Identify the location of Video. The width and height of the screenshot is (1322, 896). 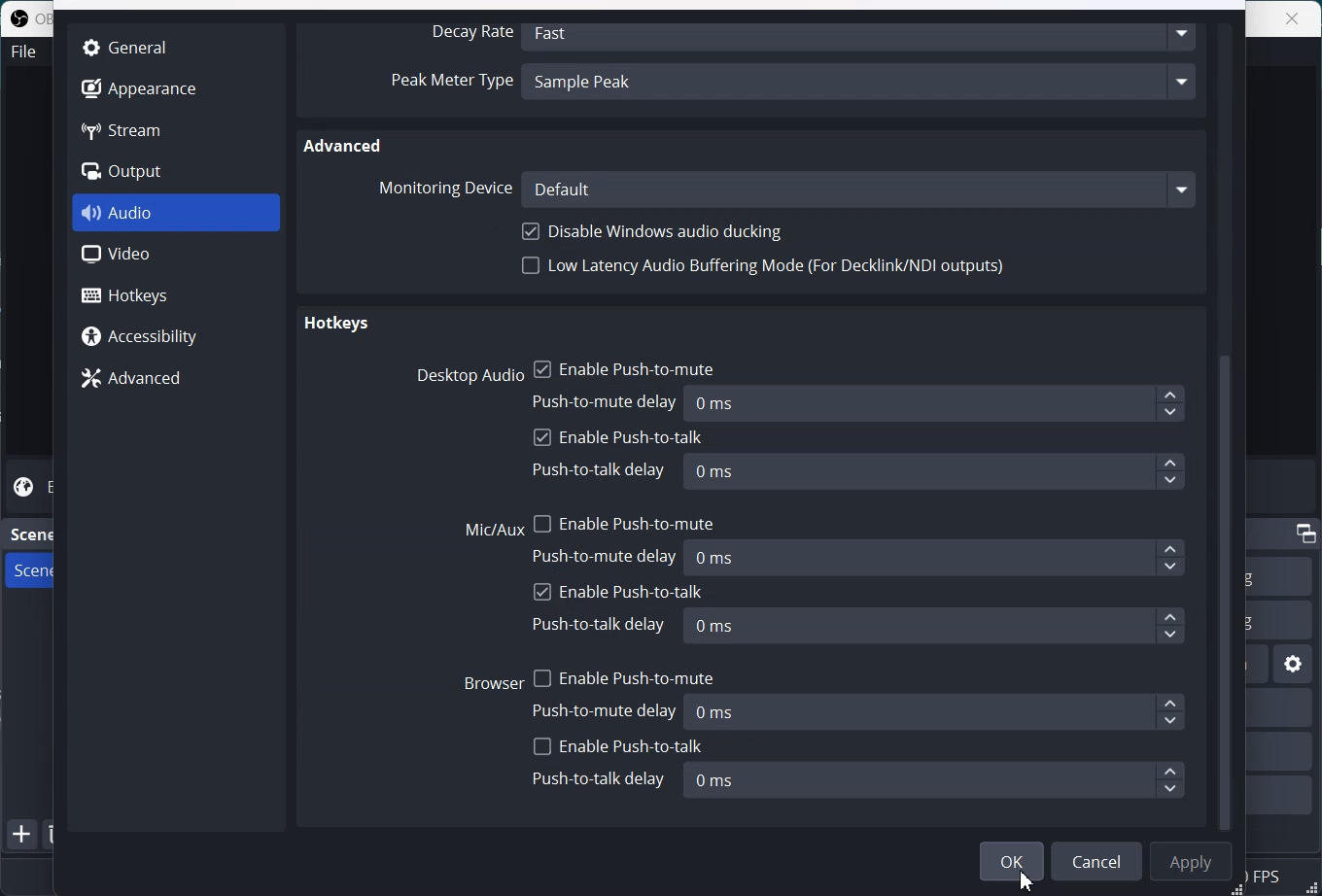
(176, 255).